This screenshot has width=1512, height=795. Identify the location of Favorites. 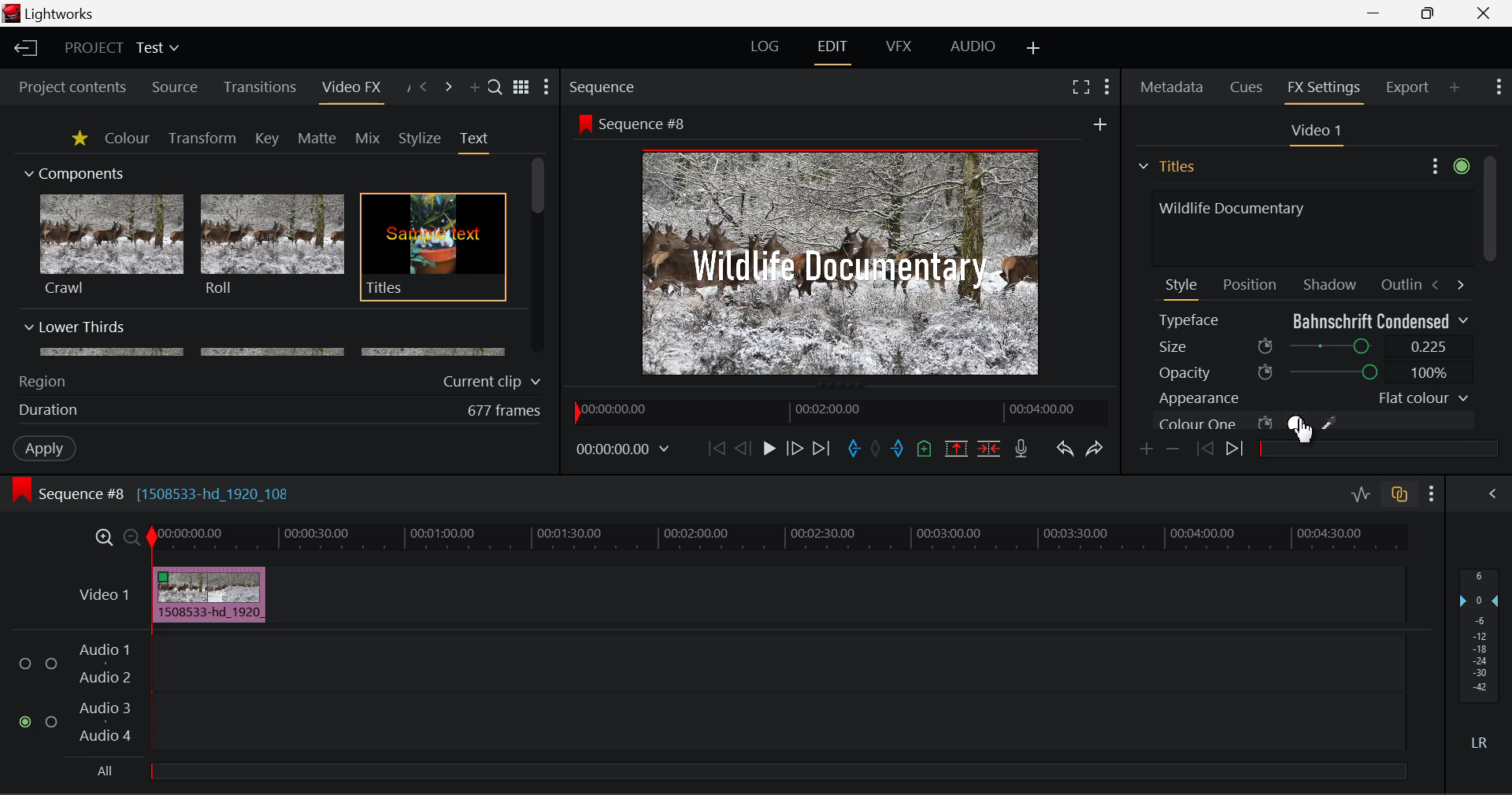
(81, 139).